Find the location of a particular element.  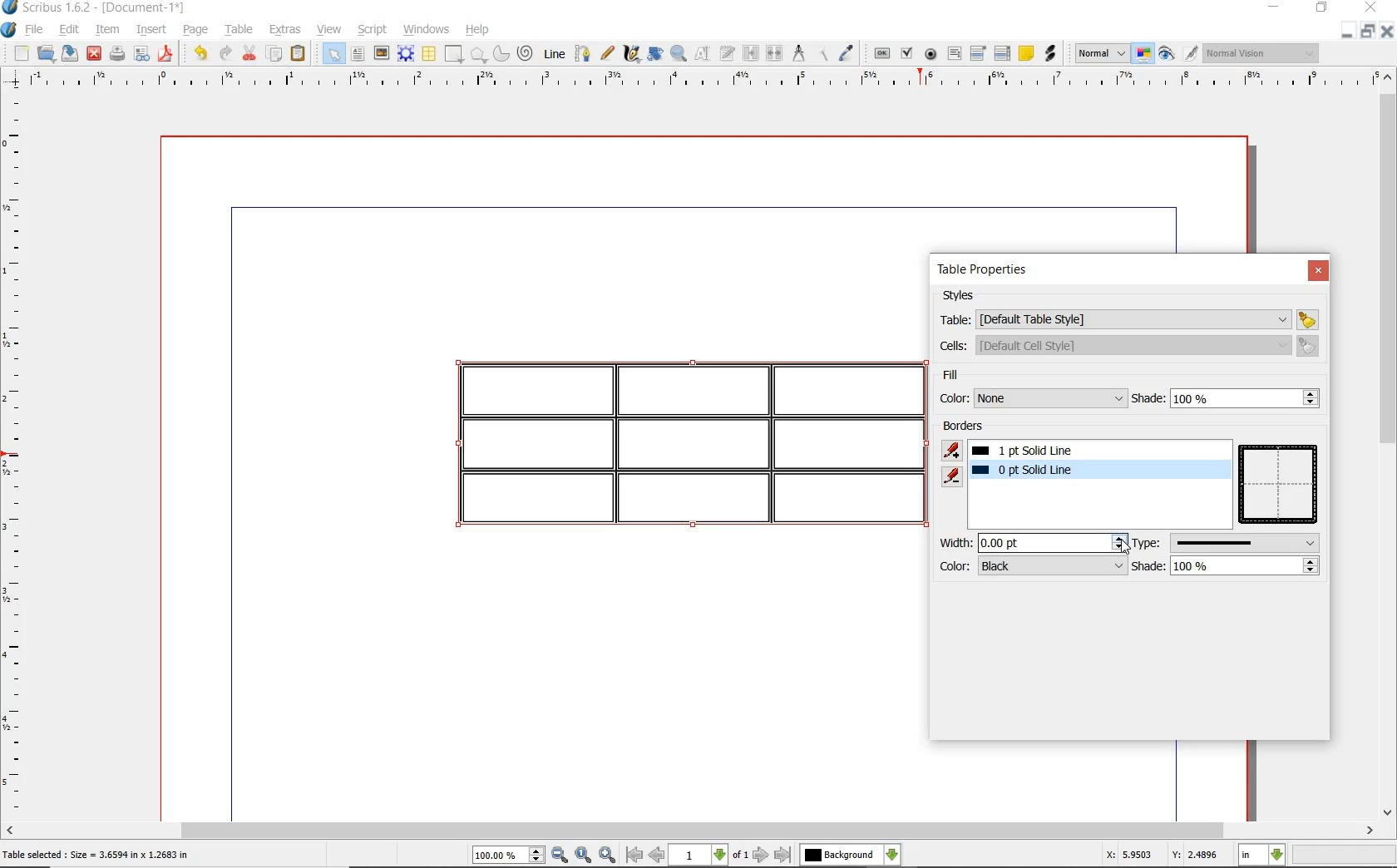

pdf text field is located at coordinates (954, 54).